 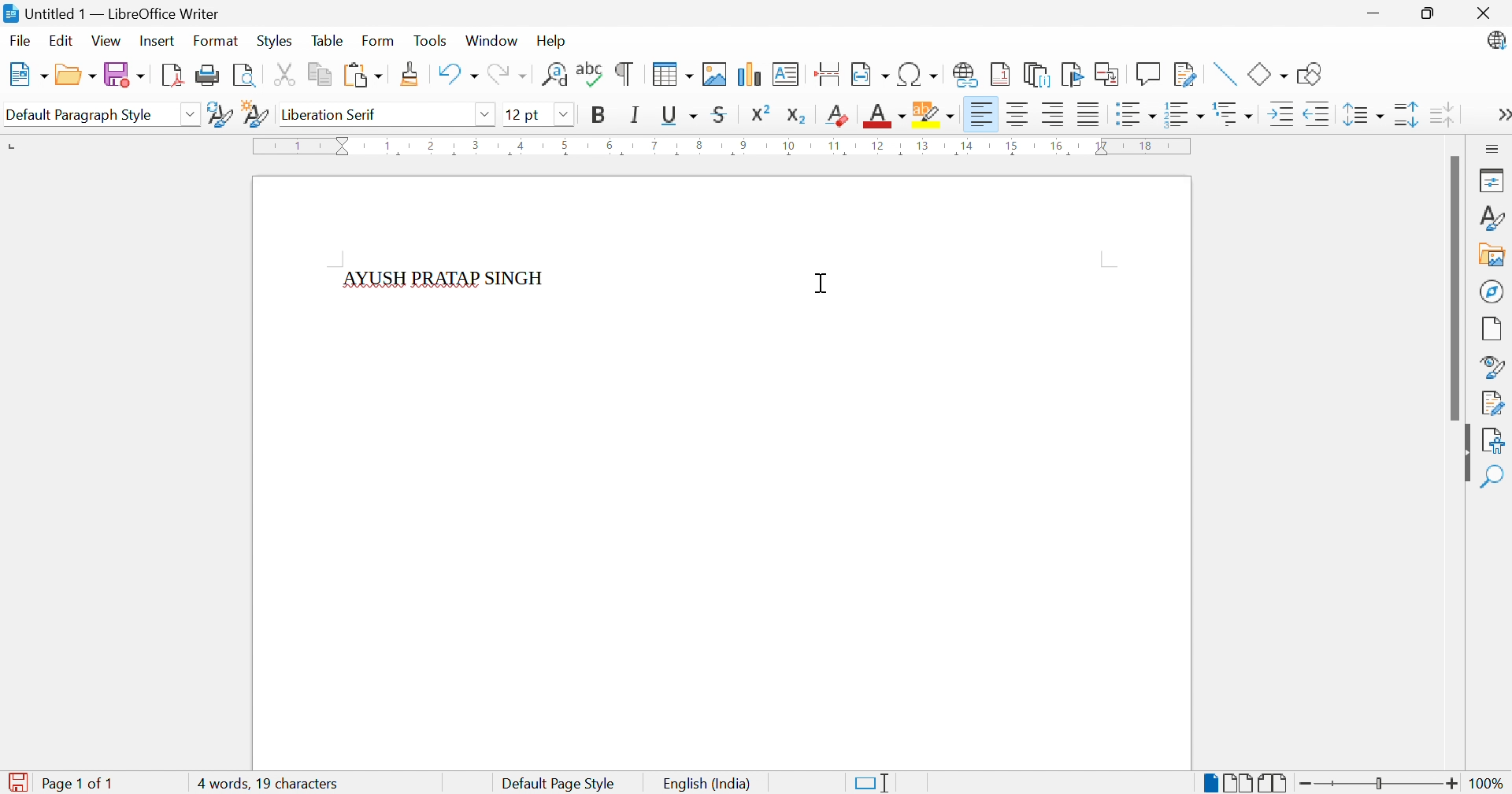 What do you see at coordinates (563, 114) in the screenshot?
I see `Drop Down` at bounding box center [563, 114].